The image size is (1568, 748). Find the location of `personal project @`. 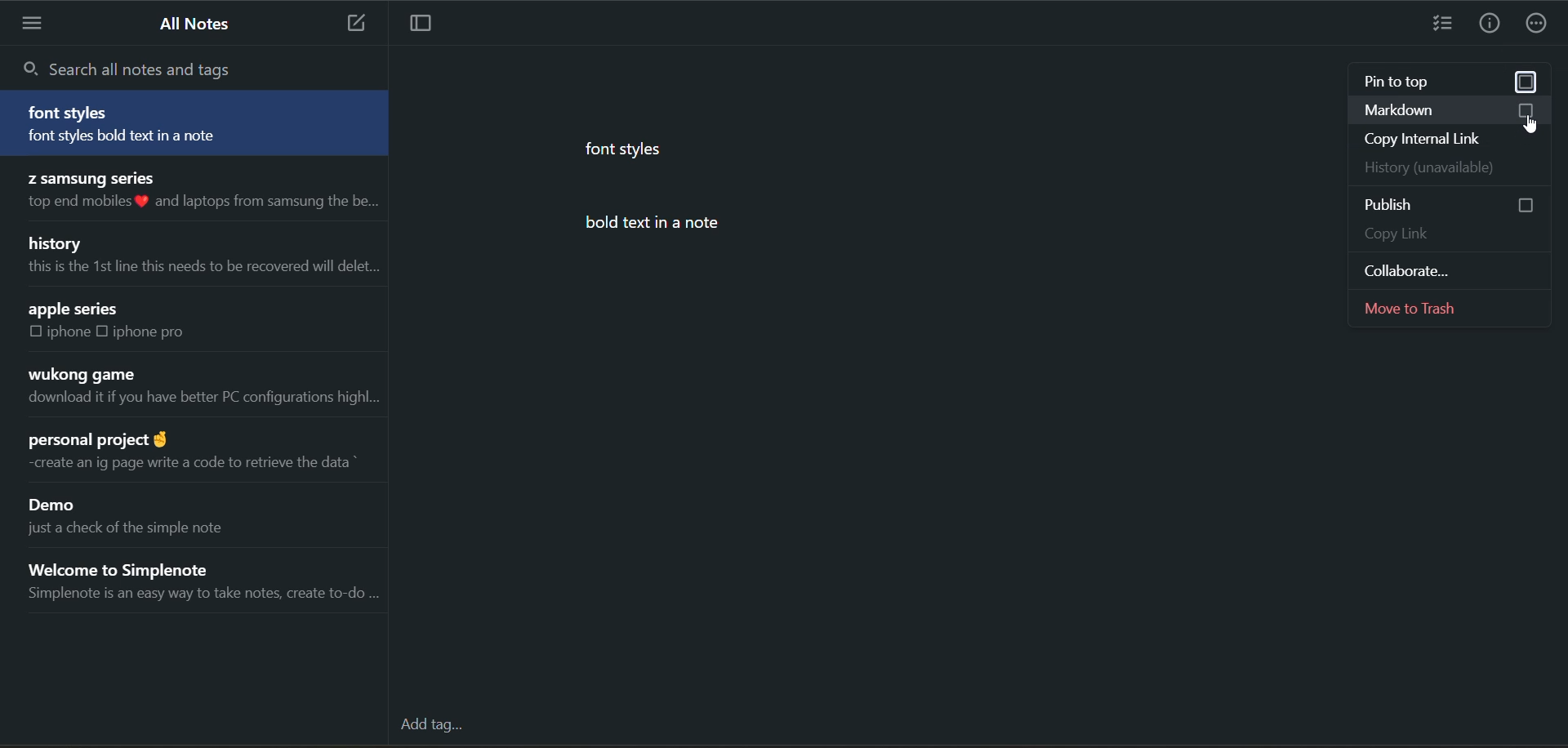

personal project @ is located at coordinates (96, 435).